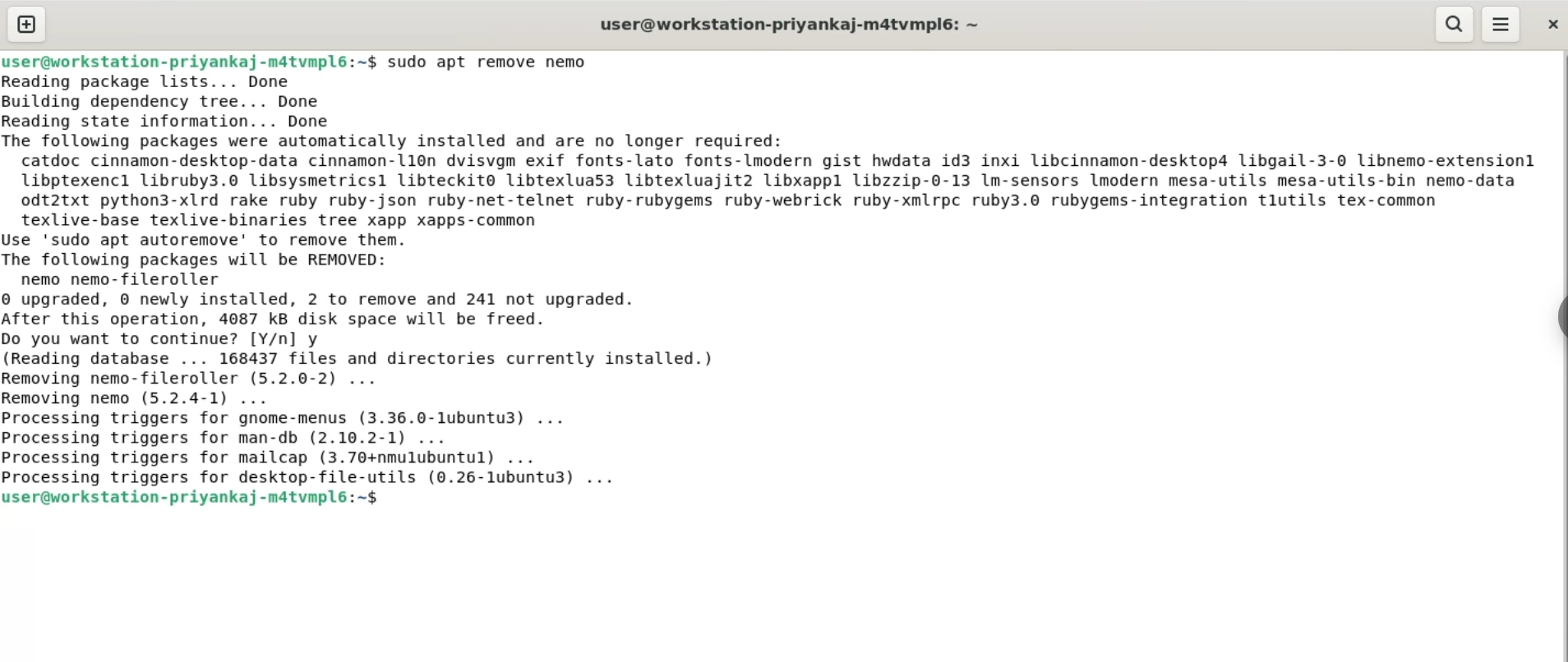  Describe the element at coordinates (783, 281) in the screenshot. I see `log of removing nemo` at that location.